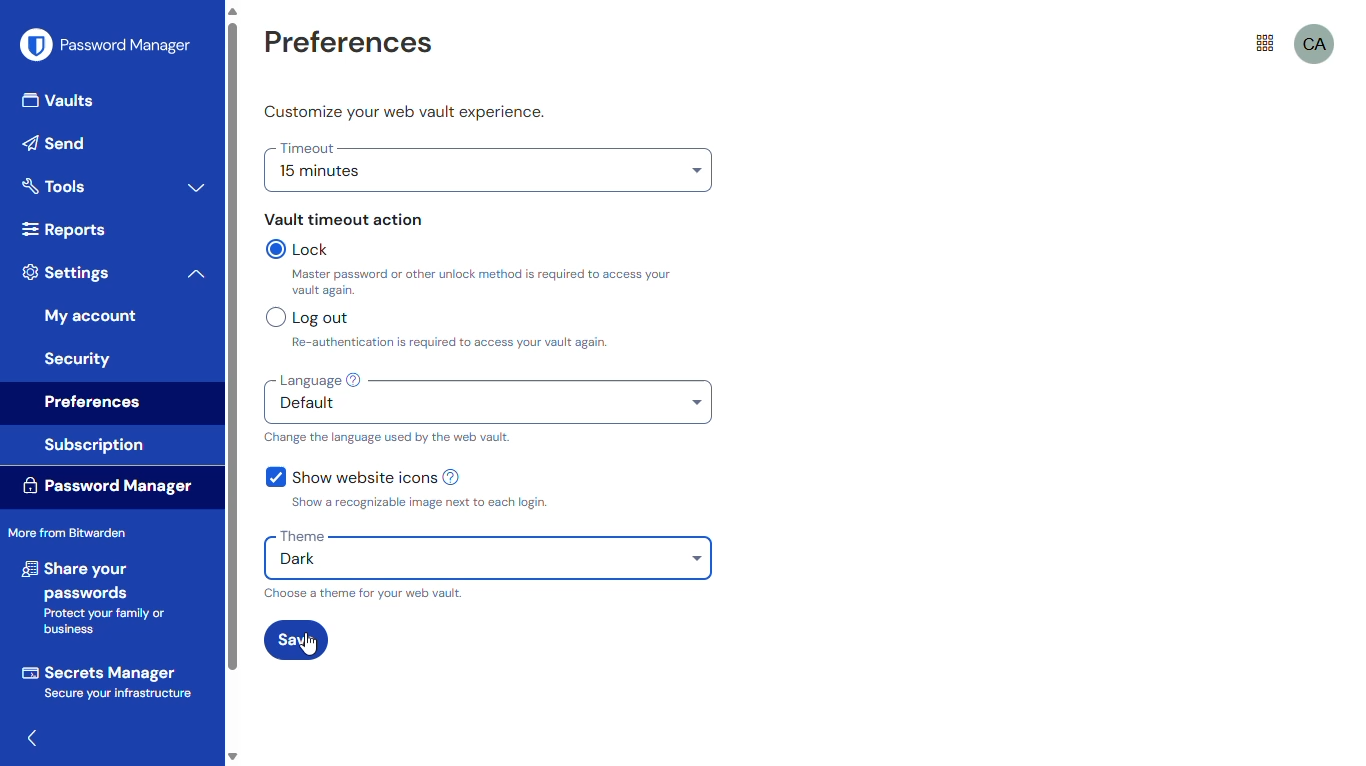 This screenshot has height=766, width=1366. Describe the element at coordinates (488, 408) in the screenshot. I see `default` at that location.